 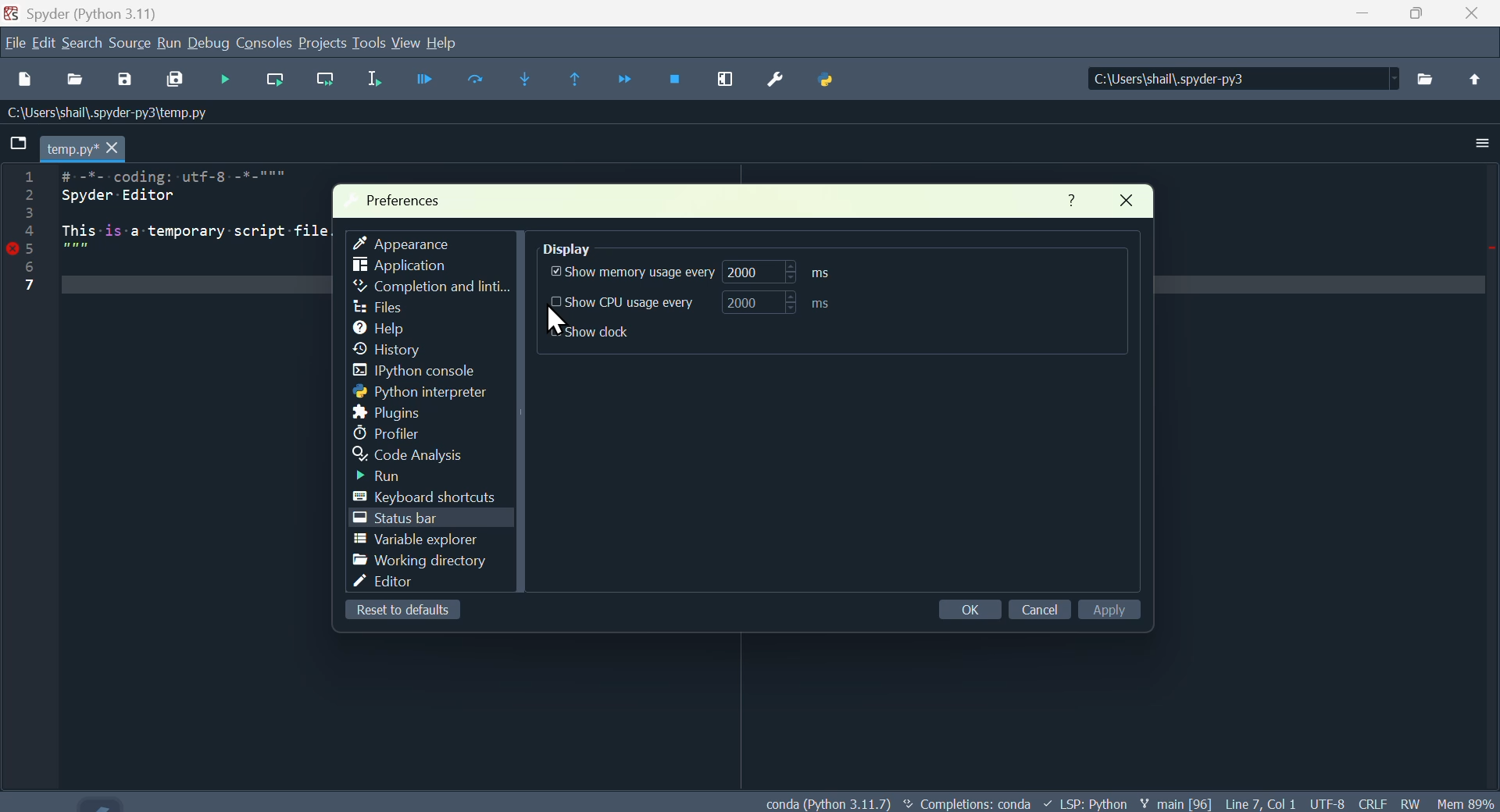 I want to click on Python interpreter, so click(x=422, y=391).